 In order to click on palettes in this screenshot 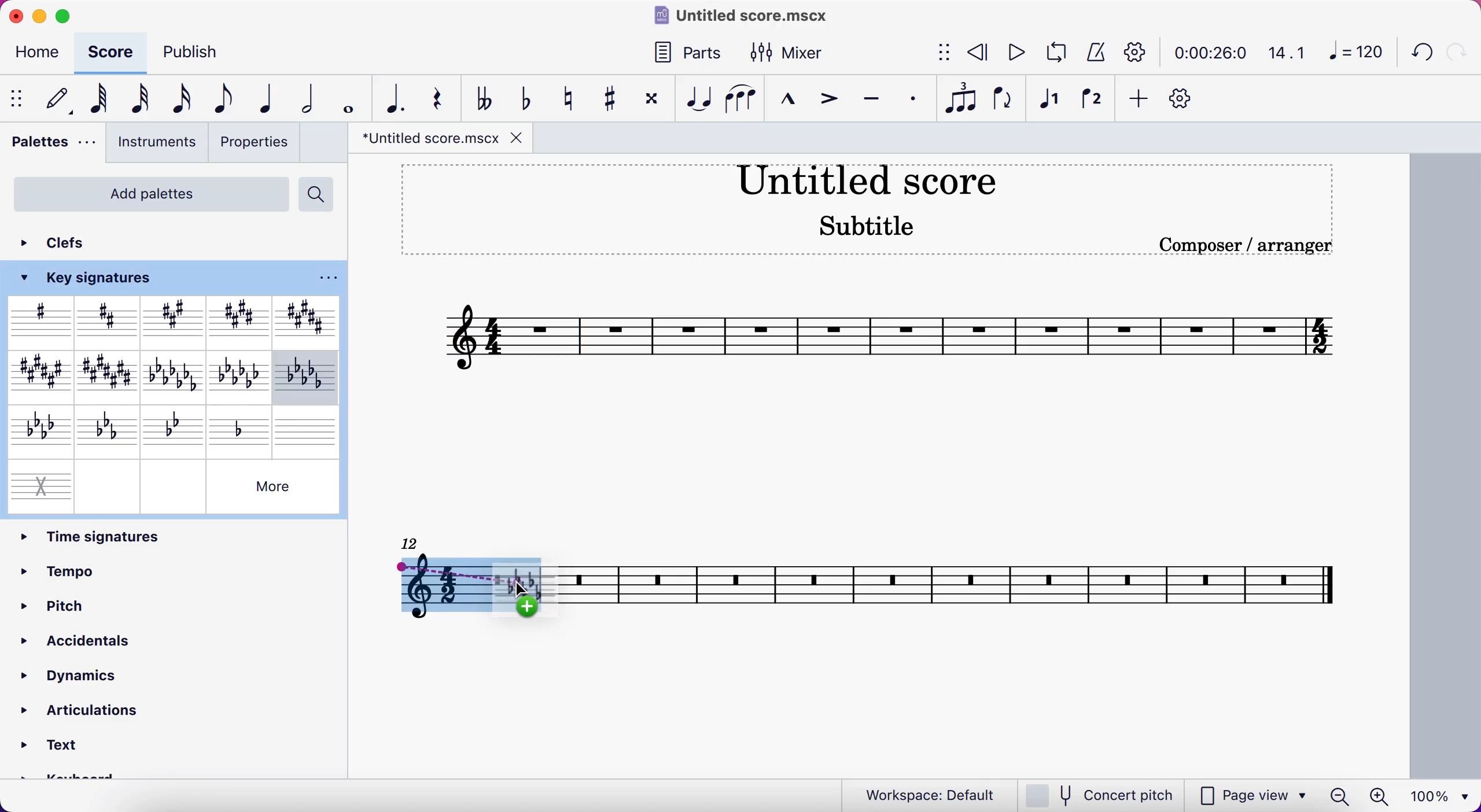, I will do `click(52, 149)`.